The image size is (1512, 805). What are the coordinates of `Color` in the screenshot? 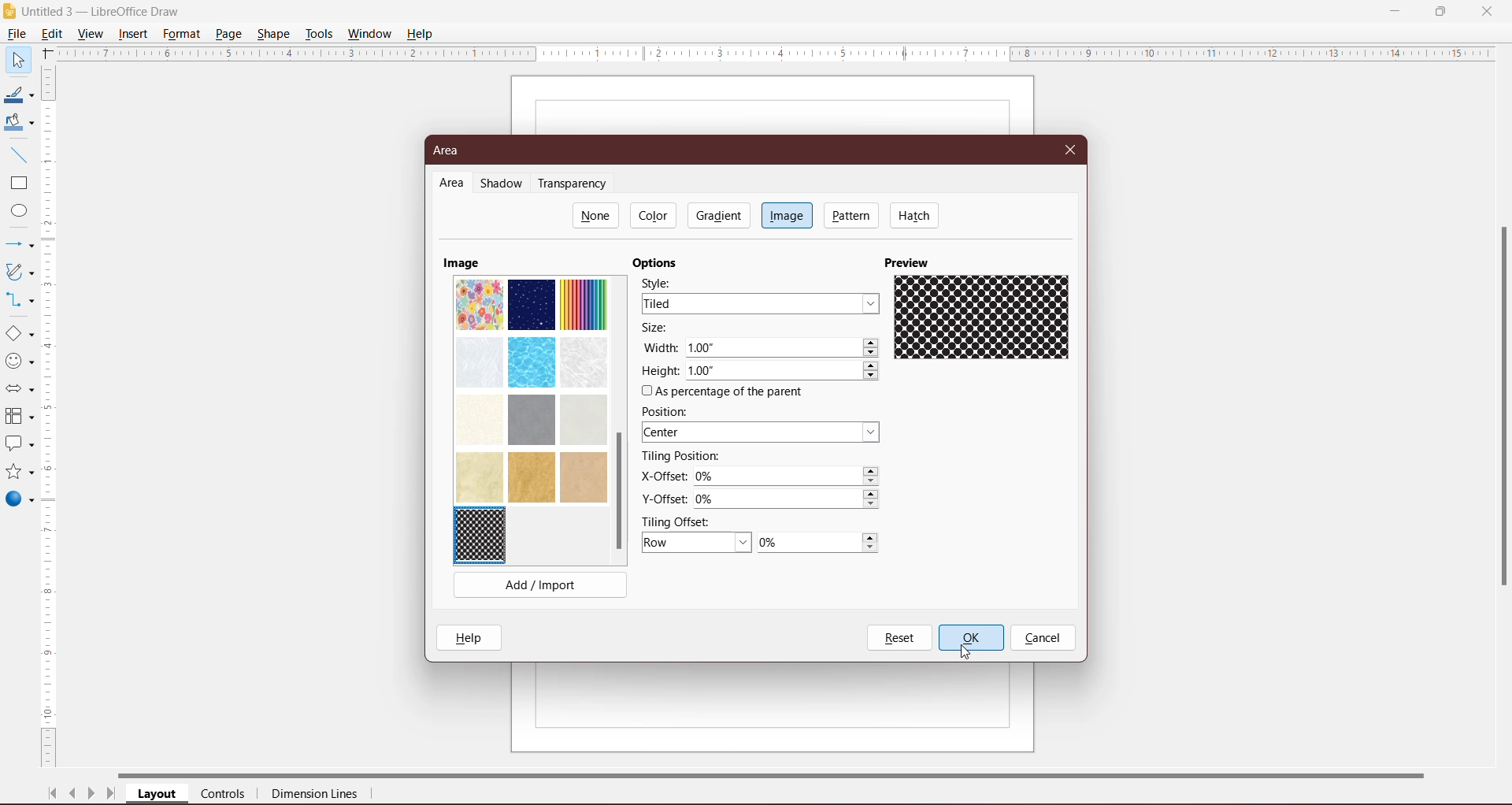 It's located at (655, 215).